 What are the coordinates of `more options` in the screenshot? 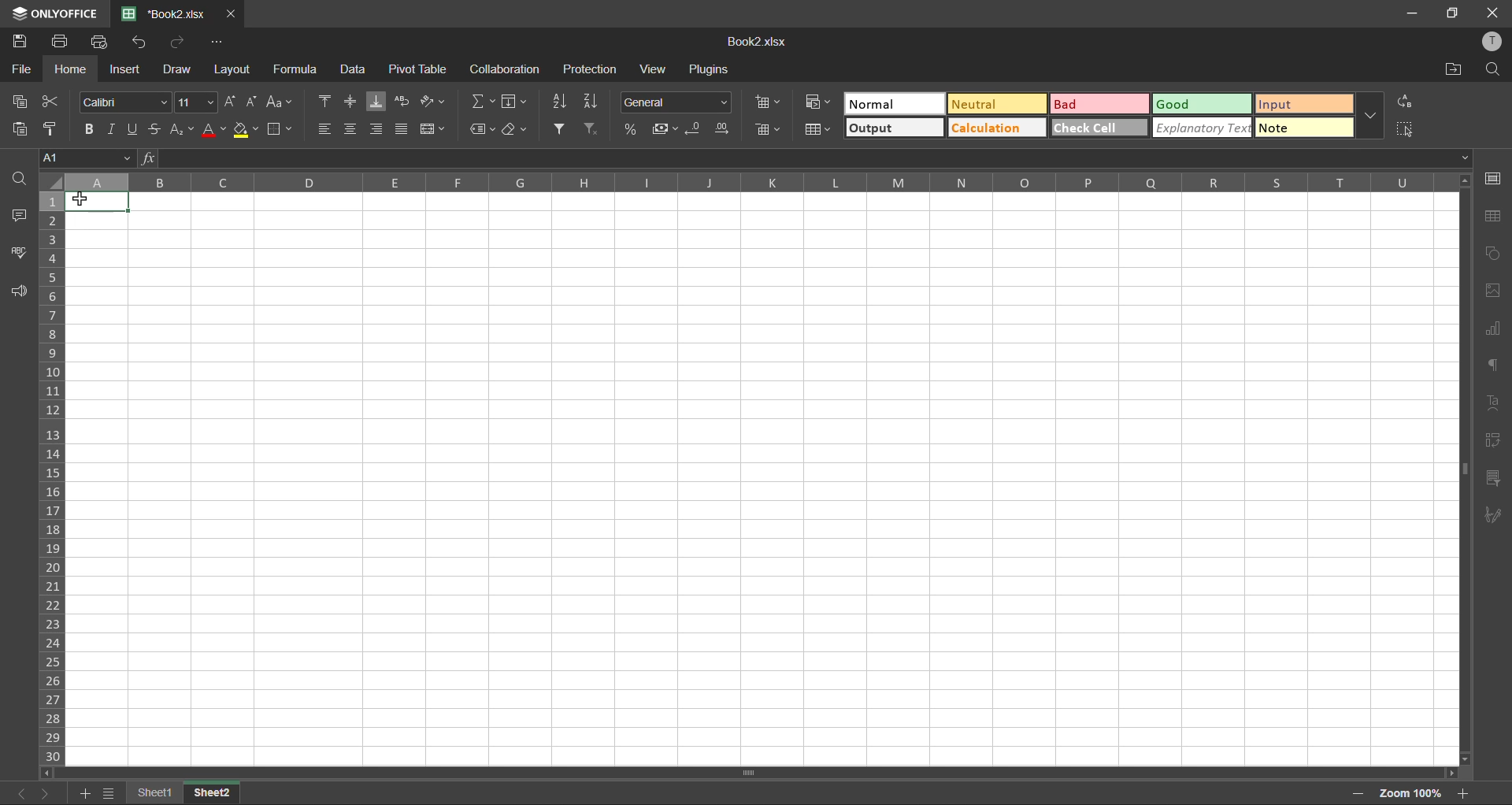 It's located at (1368, 116).